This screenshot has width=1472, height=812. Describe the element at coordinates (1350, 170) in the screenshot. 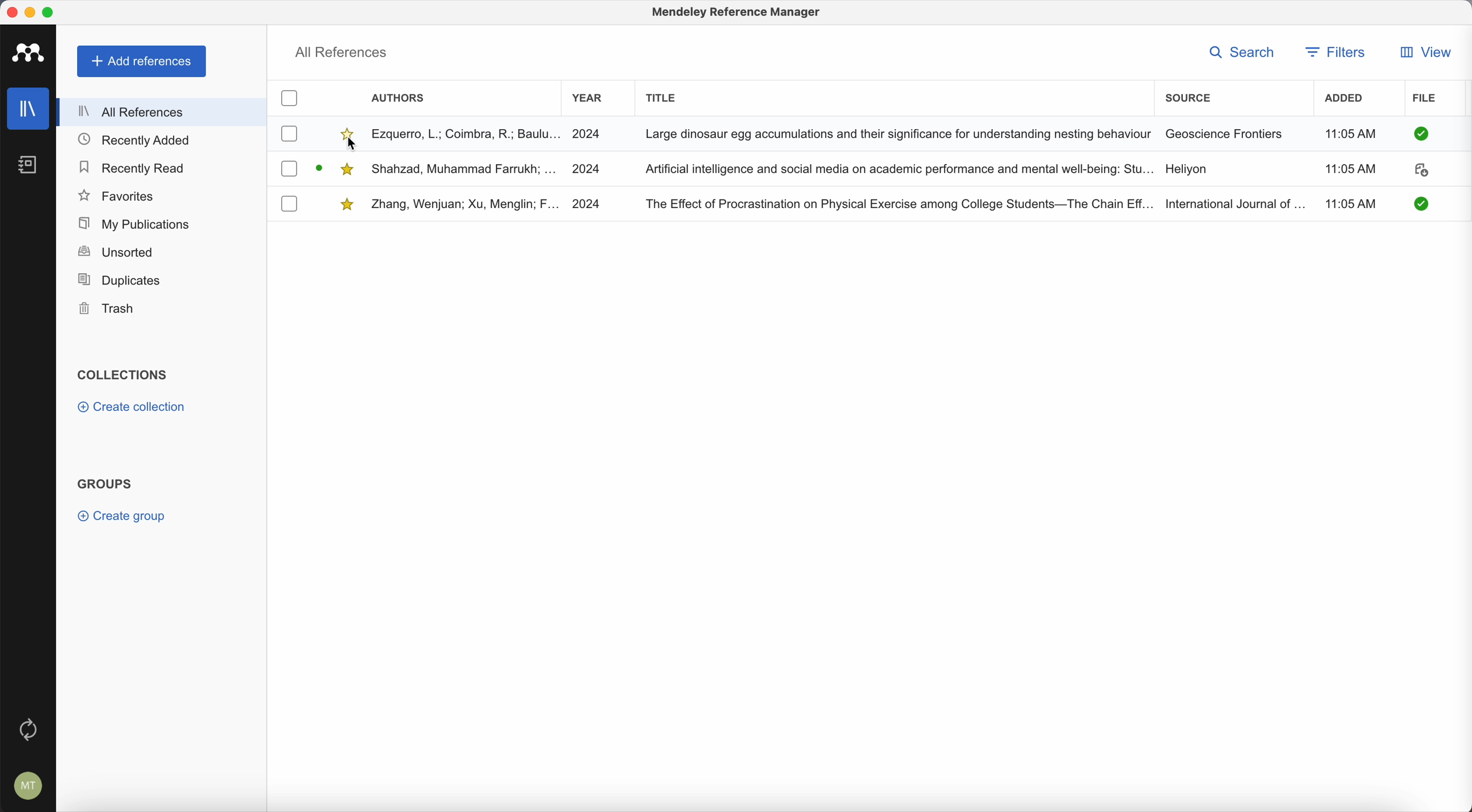

I see `11:05 AM` at that location.